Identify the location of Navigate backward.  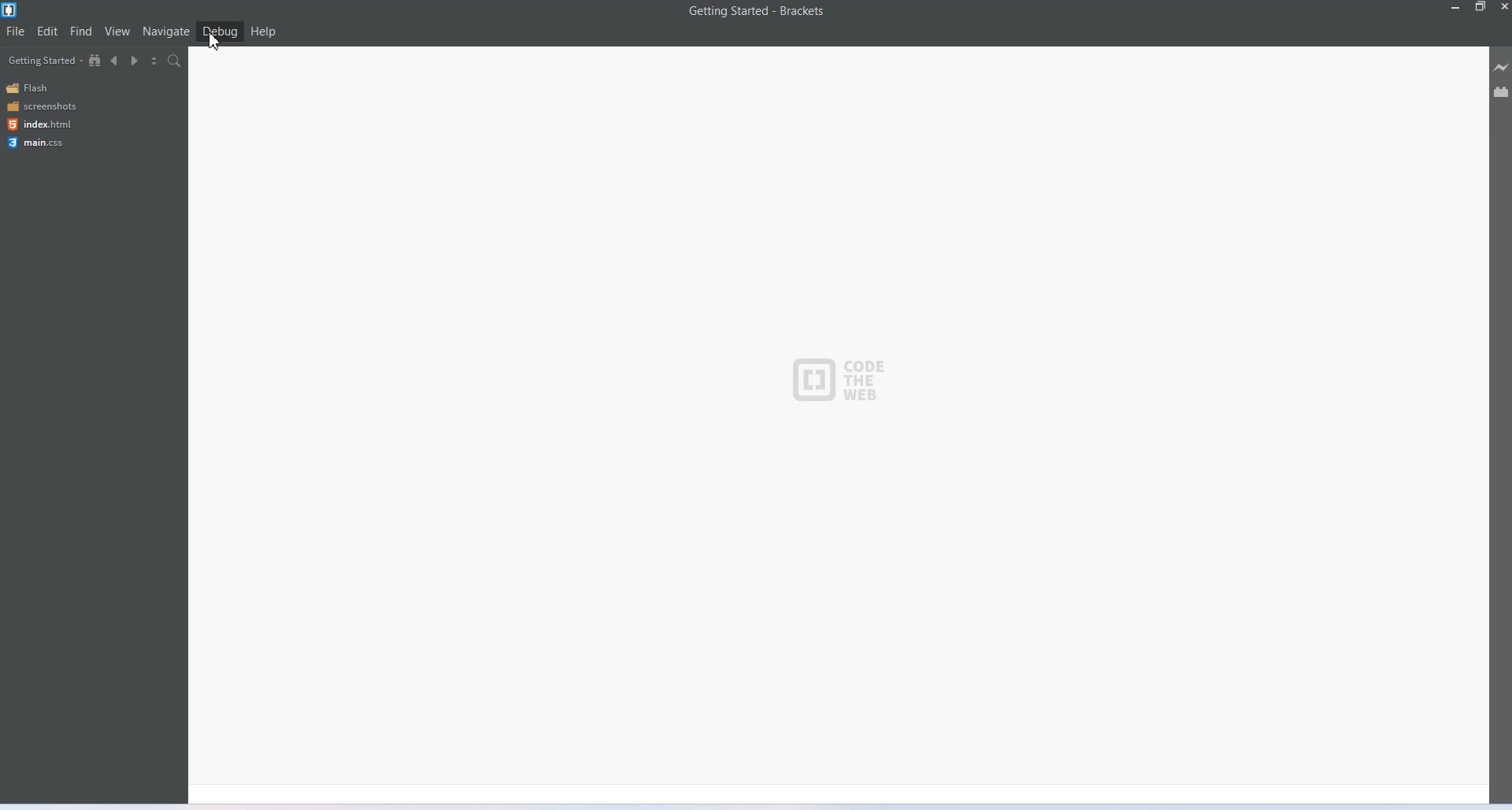
(115, 61).